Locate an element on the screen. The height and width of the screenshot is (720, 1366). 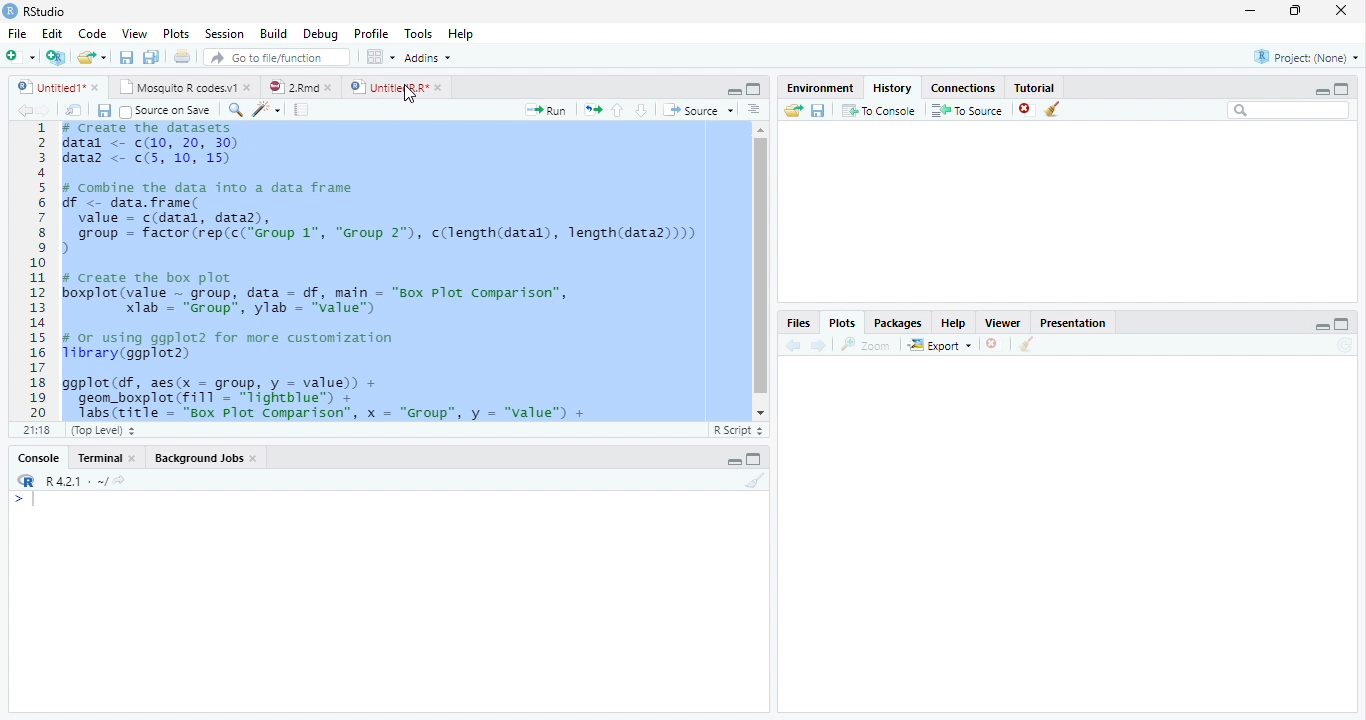
Source is located at coordinates (699, 110).